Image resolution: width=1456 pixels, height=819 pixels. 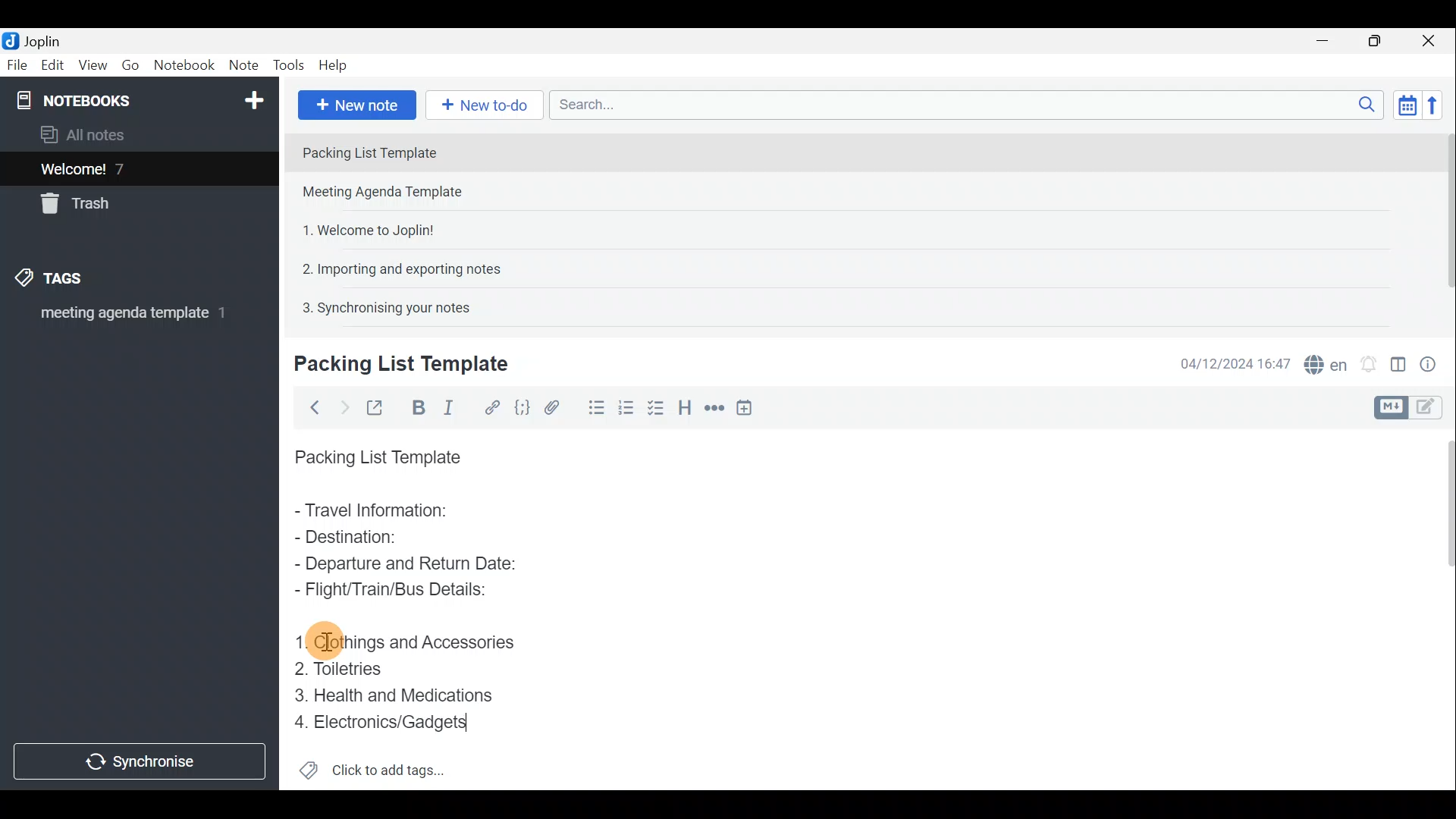 What do you see at coordinates (1433, 362) in the screenshot?
I see `Note properties` at bounding box center [1433, 362].